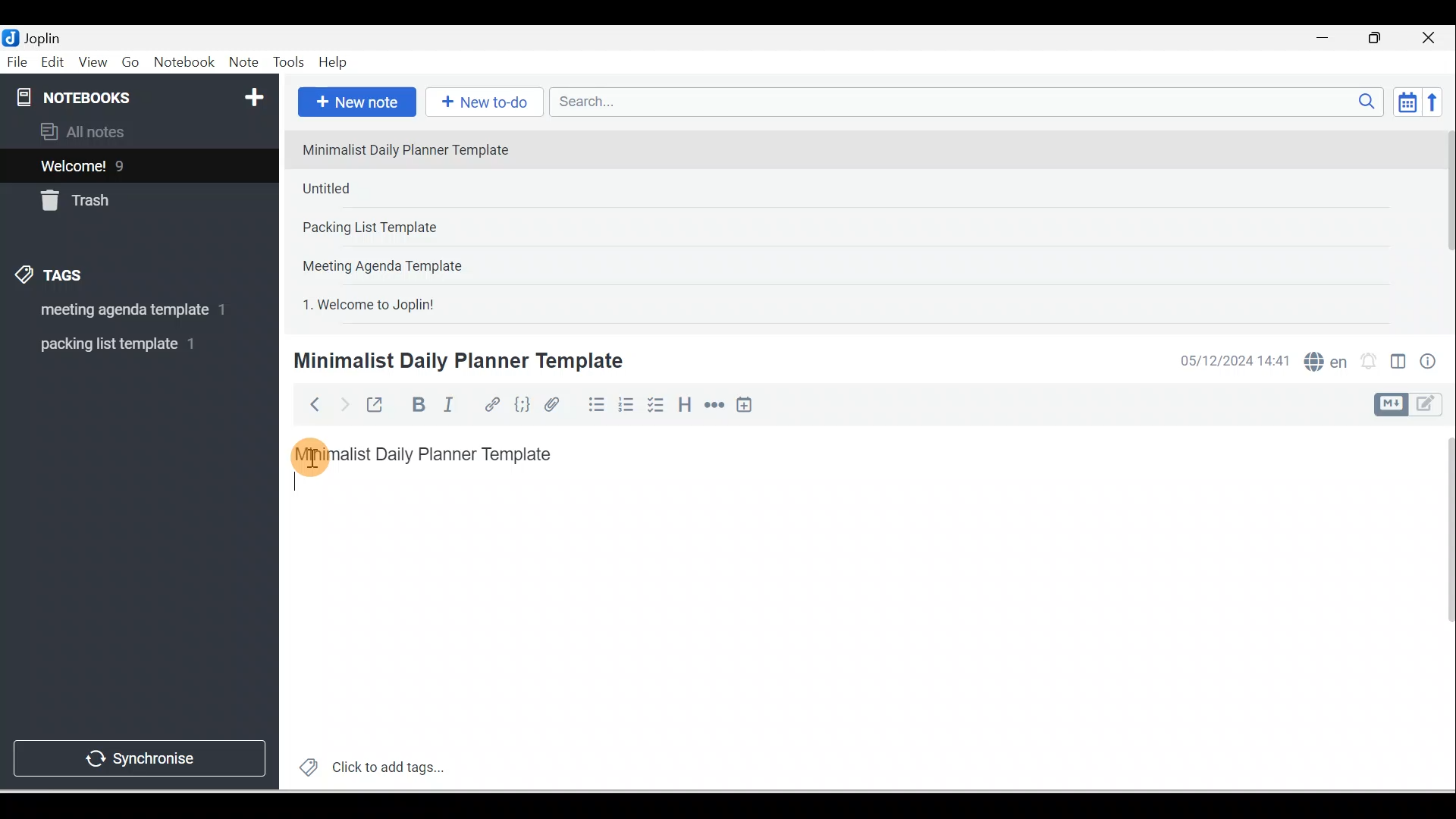 This screenshot has width=1456, height=819. What do you see at coordinates (971, 102) in the screenshot?
I see `Search bar` at bounding box center [971, 102].